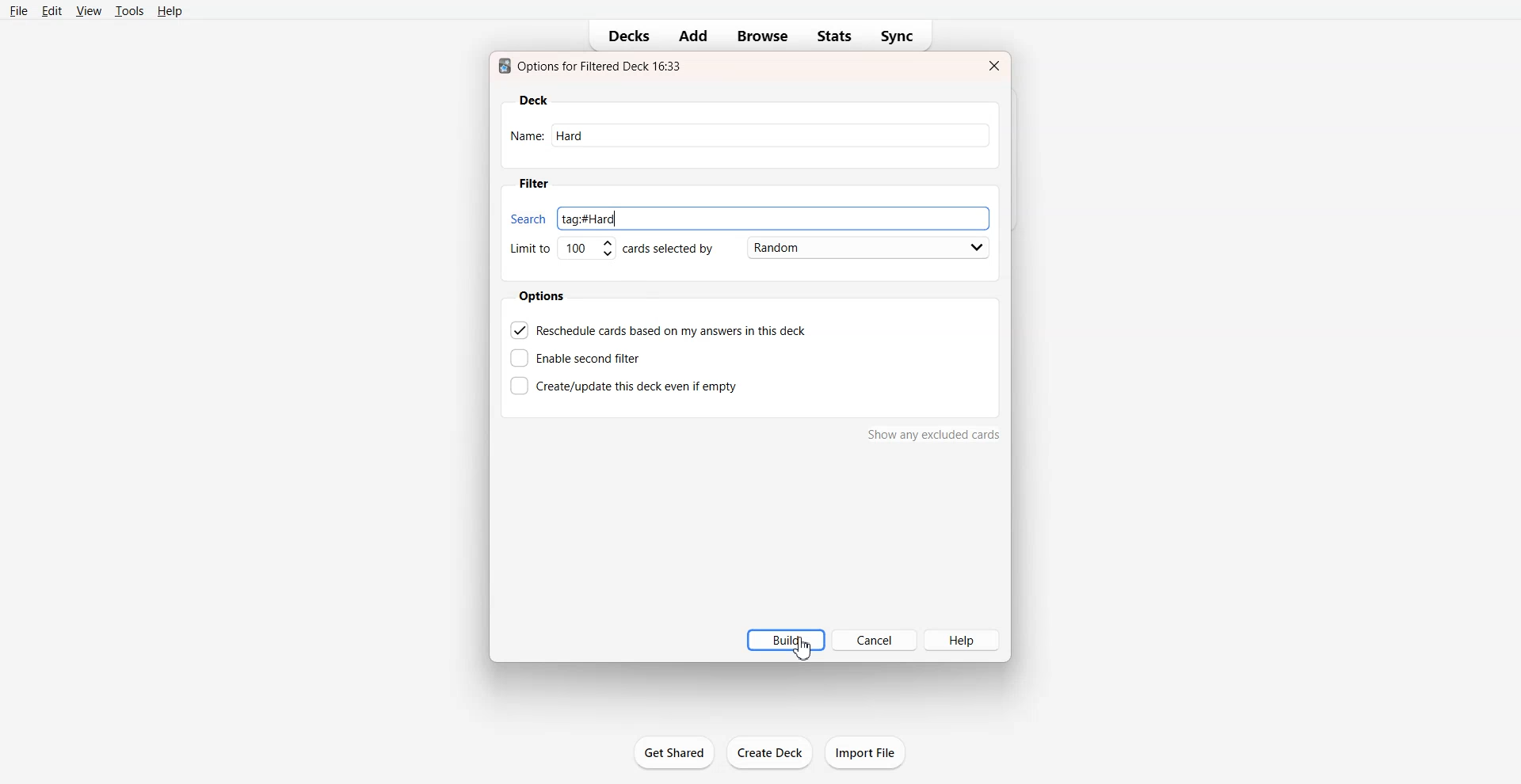 The image size is (1521, 784). I want to click on Tools, so click(129, 10).